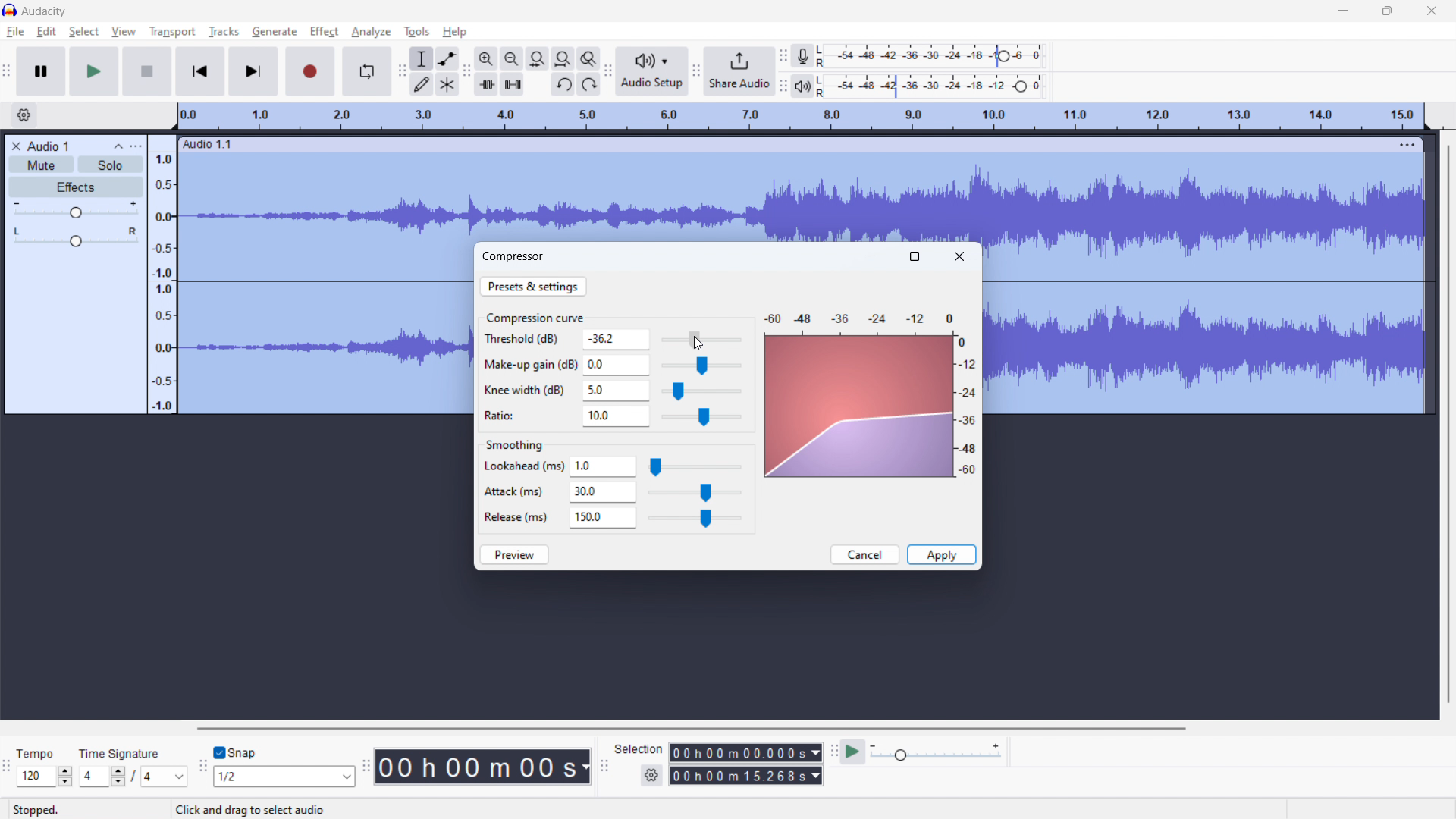 This screenshot has width=1456, height=819. Describe the element at coordinates (255, 72) in the screenshot. I see `skip to end` at that location.